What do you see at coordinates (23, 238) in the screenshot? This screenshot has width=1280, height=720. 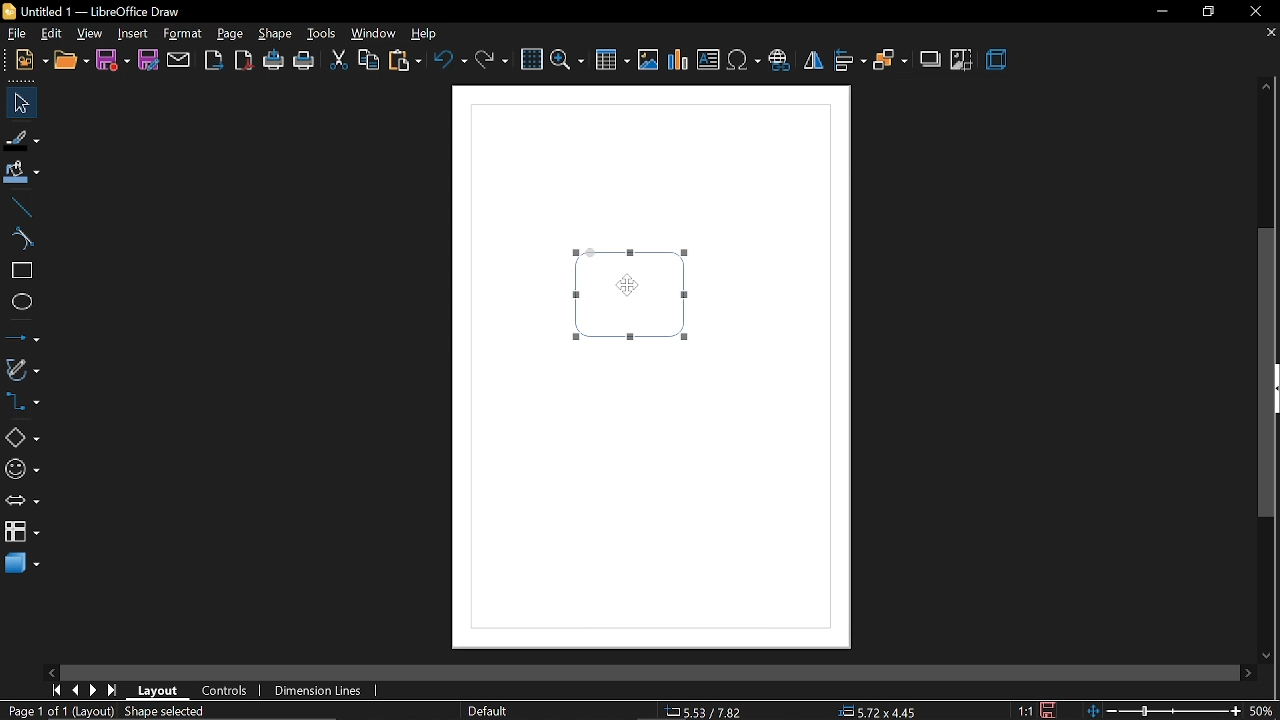 I see `curve` at bounding box center [23, 238].